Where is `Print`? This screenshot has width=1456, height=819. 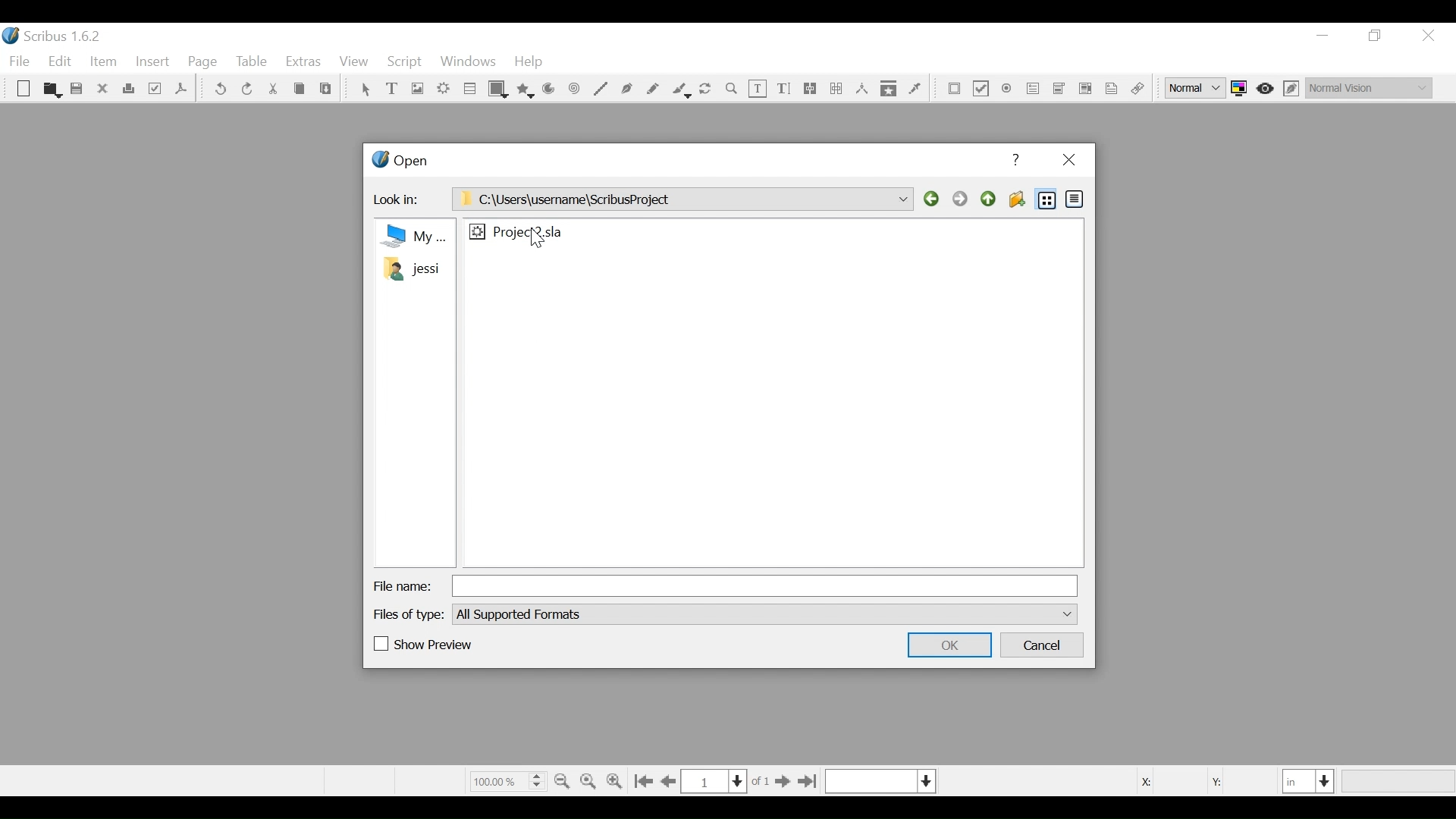
Print is located at coordinates (129, 89).